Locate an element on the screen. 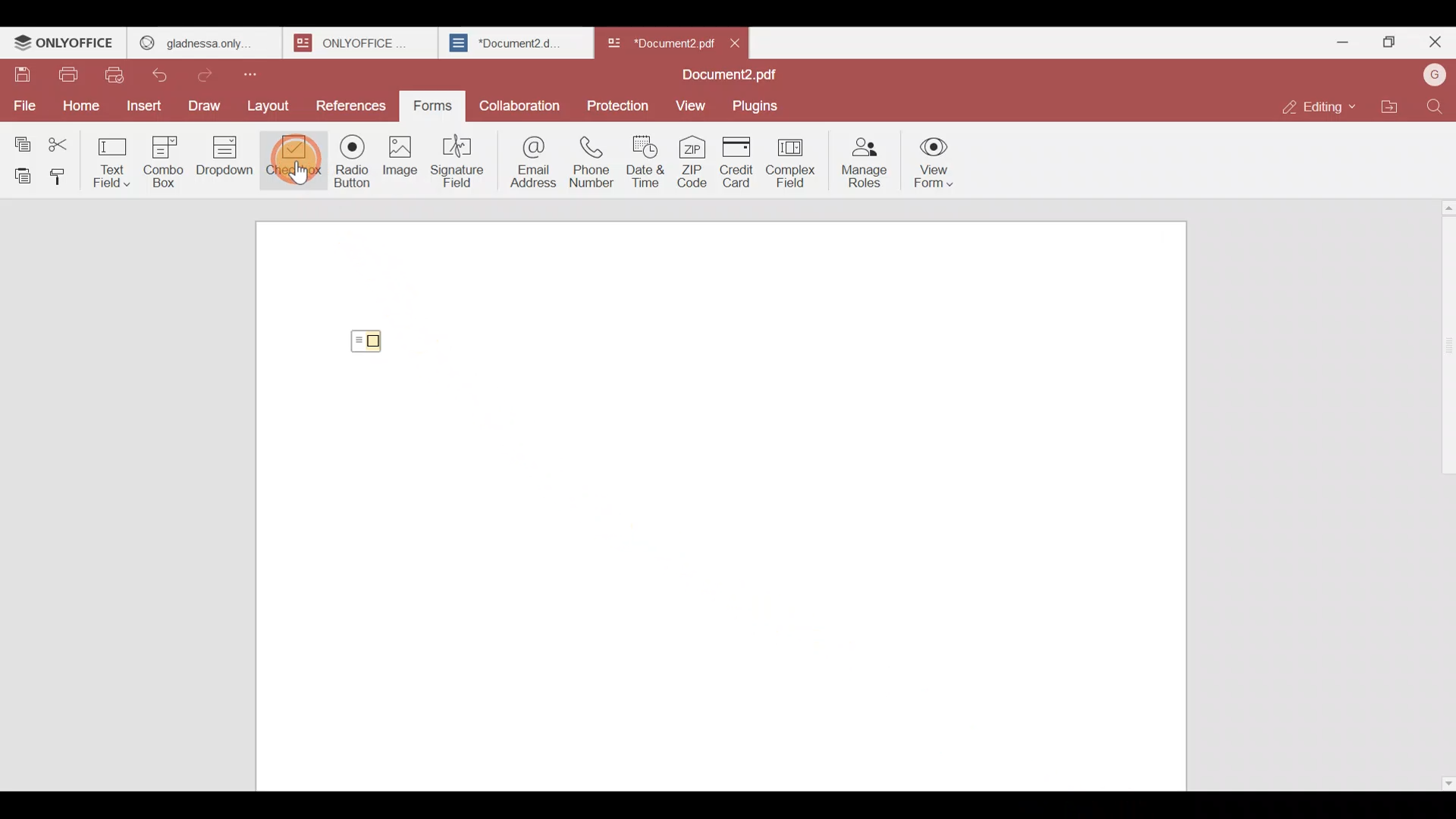  Forms is located at coordinates (434, 104).